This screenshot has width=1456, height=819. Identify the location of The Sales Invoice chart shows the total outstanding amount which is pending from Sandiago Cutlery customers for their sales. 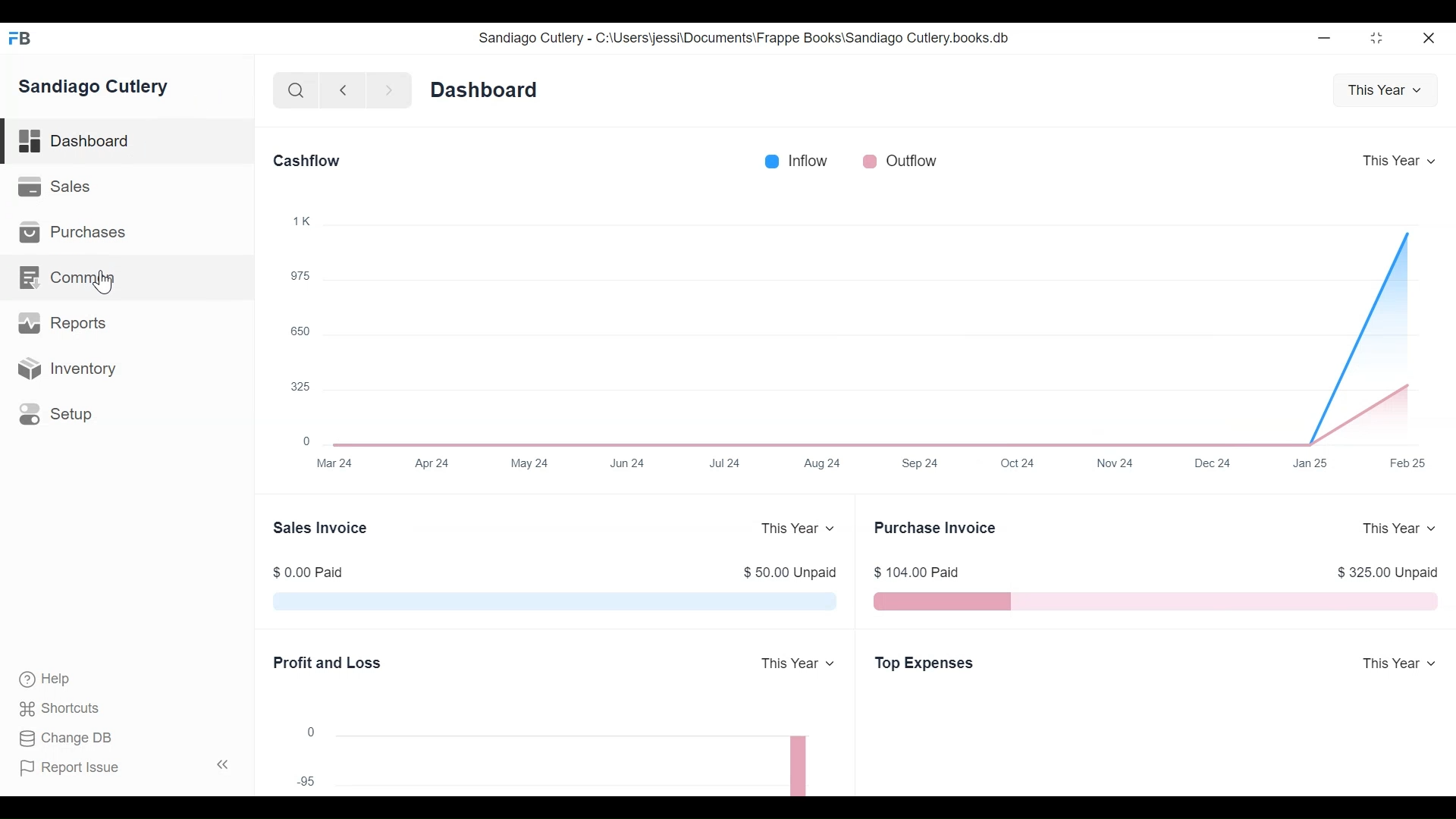
(551, 603).